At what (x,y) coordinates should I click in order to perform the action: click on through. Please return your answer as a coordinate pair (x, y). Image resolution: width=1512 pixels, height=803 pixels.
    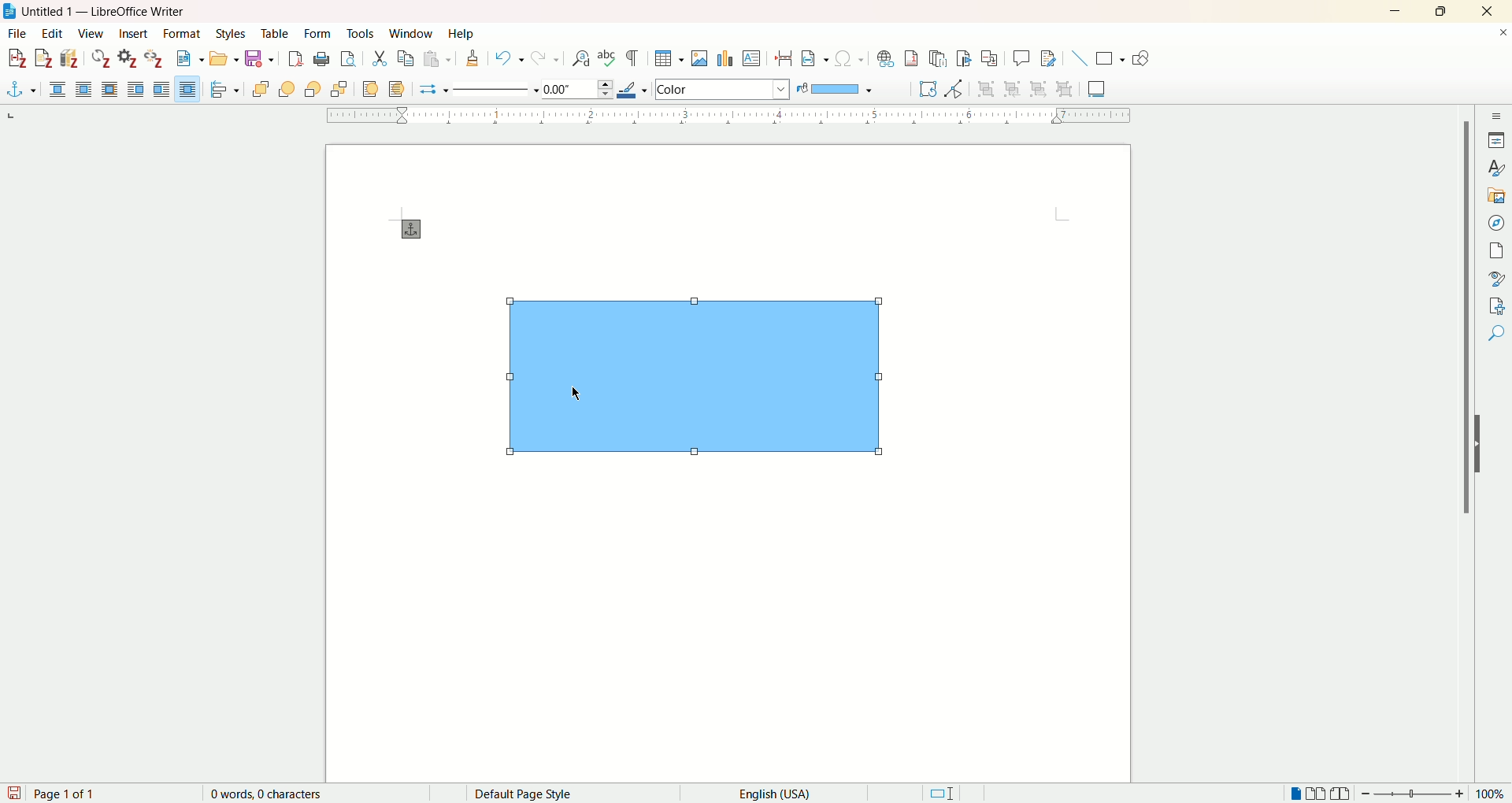
    Looking at the image, I should click on (191, 91).